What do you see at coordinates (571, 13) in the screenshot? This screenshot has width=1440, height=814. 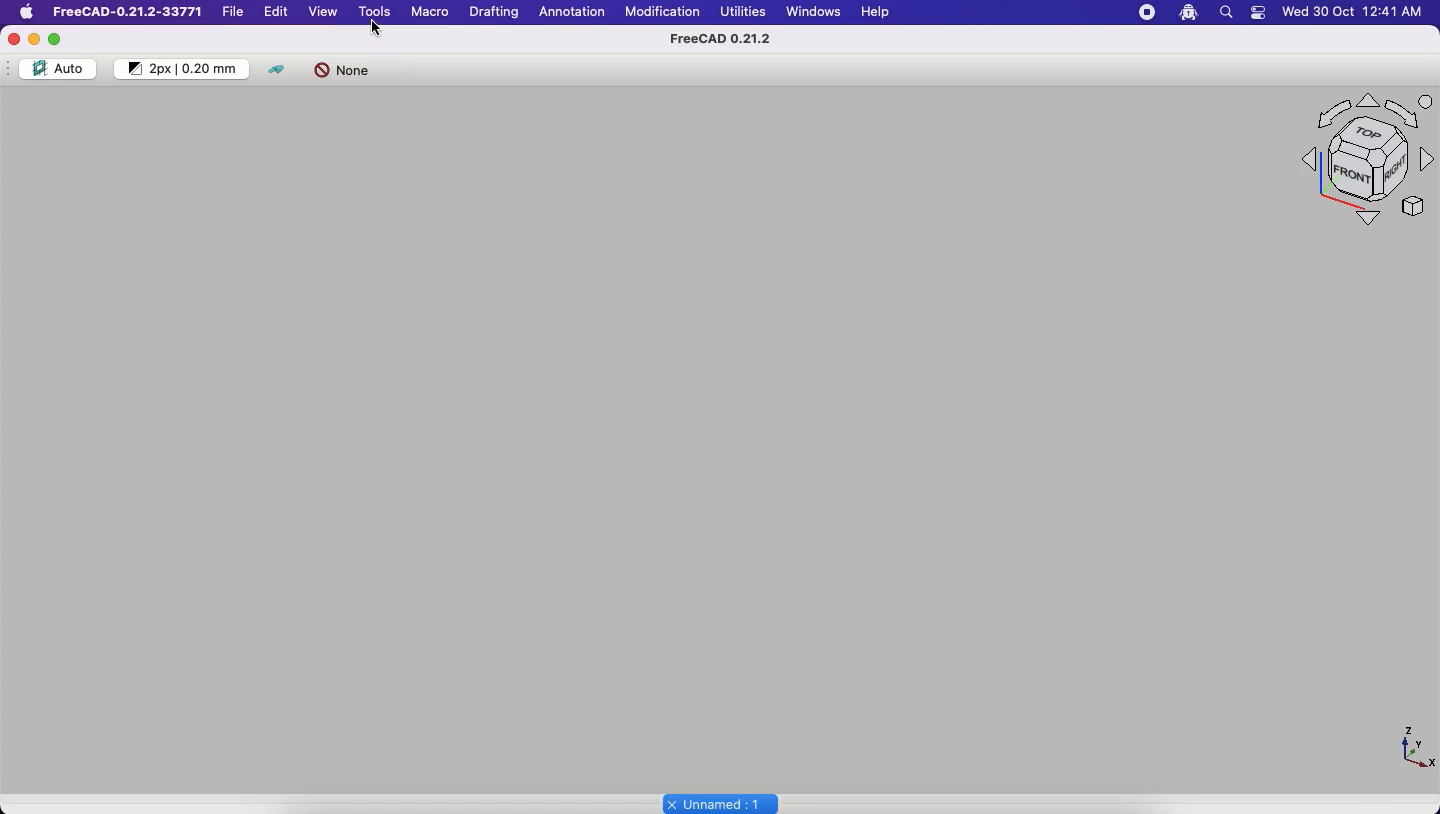 I see `Annotation` at bounding box center [571, 13].